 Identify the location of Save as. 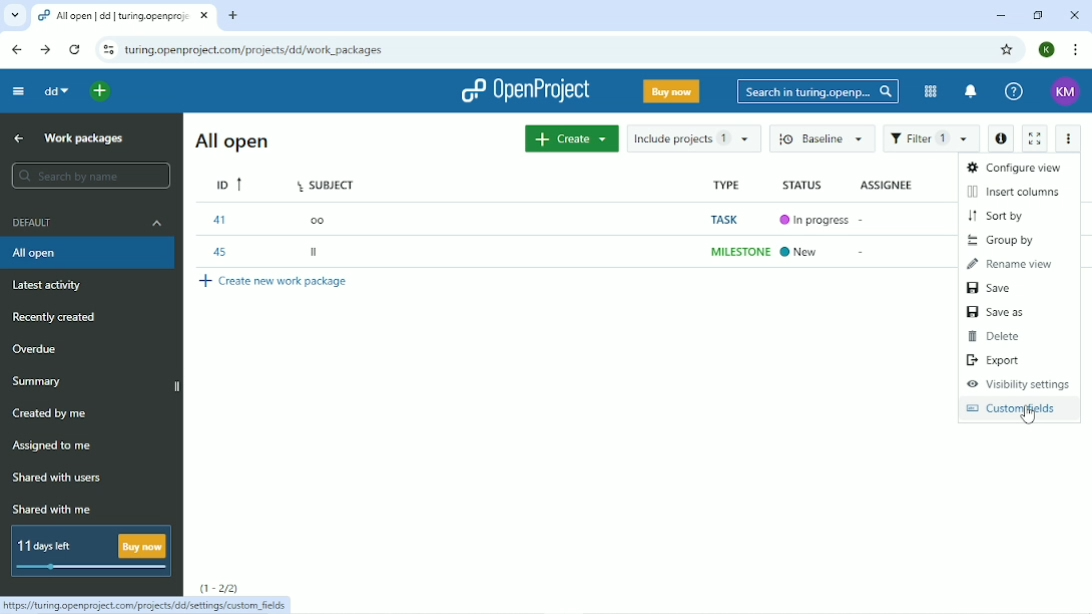
(995, 312).